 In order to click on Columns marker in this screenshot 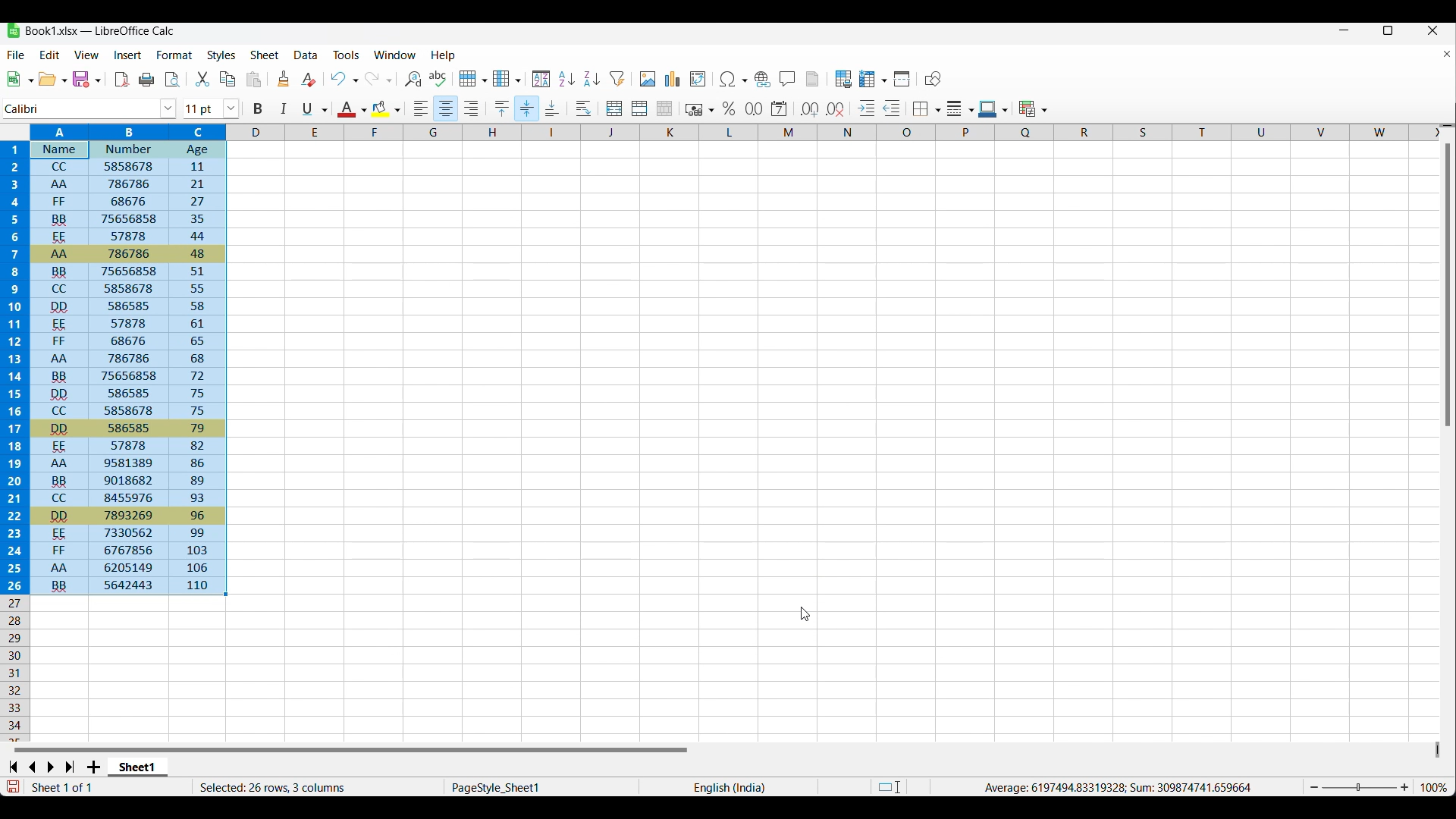, I will do `click(833, 133)`.